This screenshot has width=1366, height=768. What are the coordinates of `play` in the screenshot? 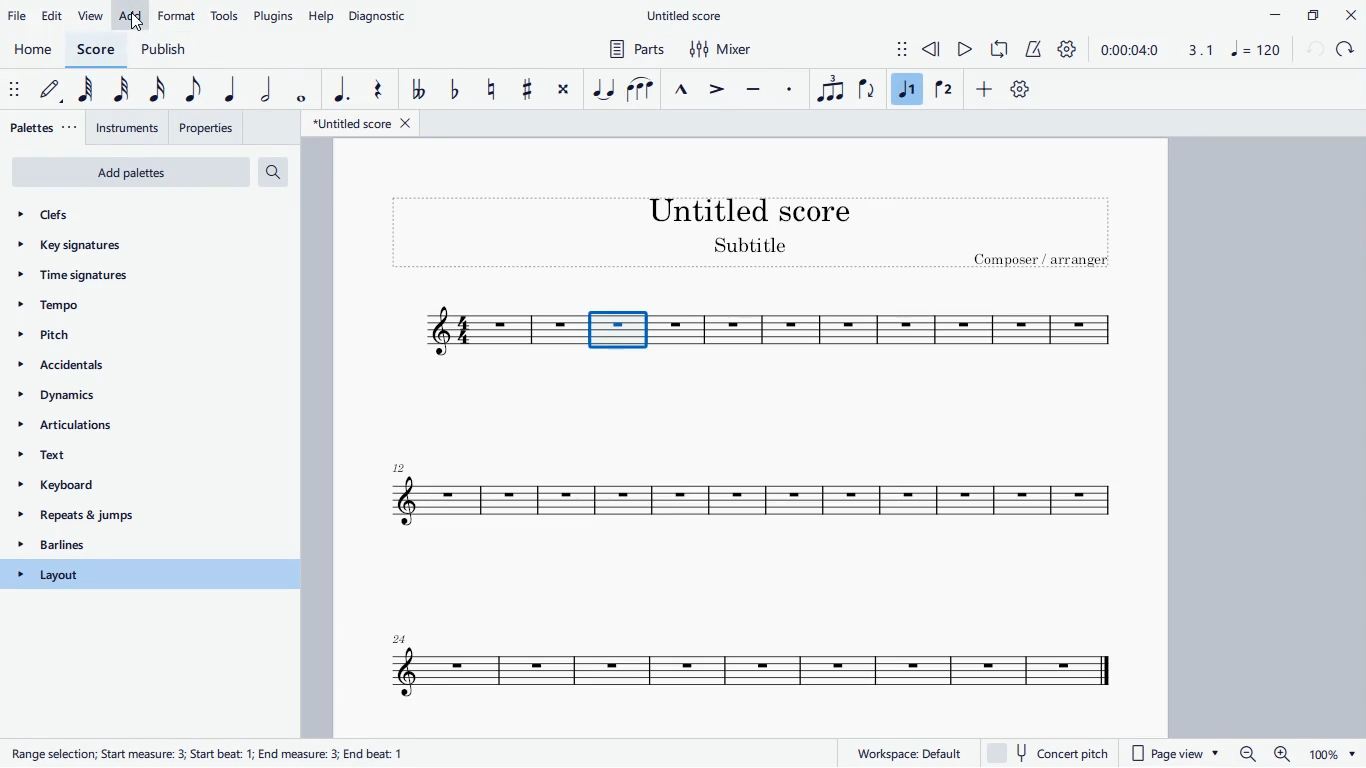 It's located at (966, 51).